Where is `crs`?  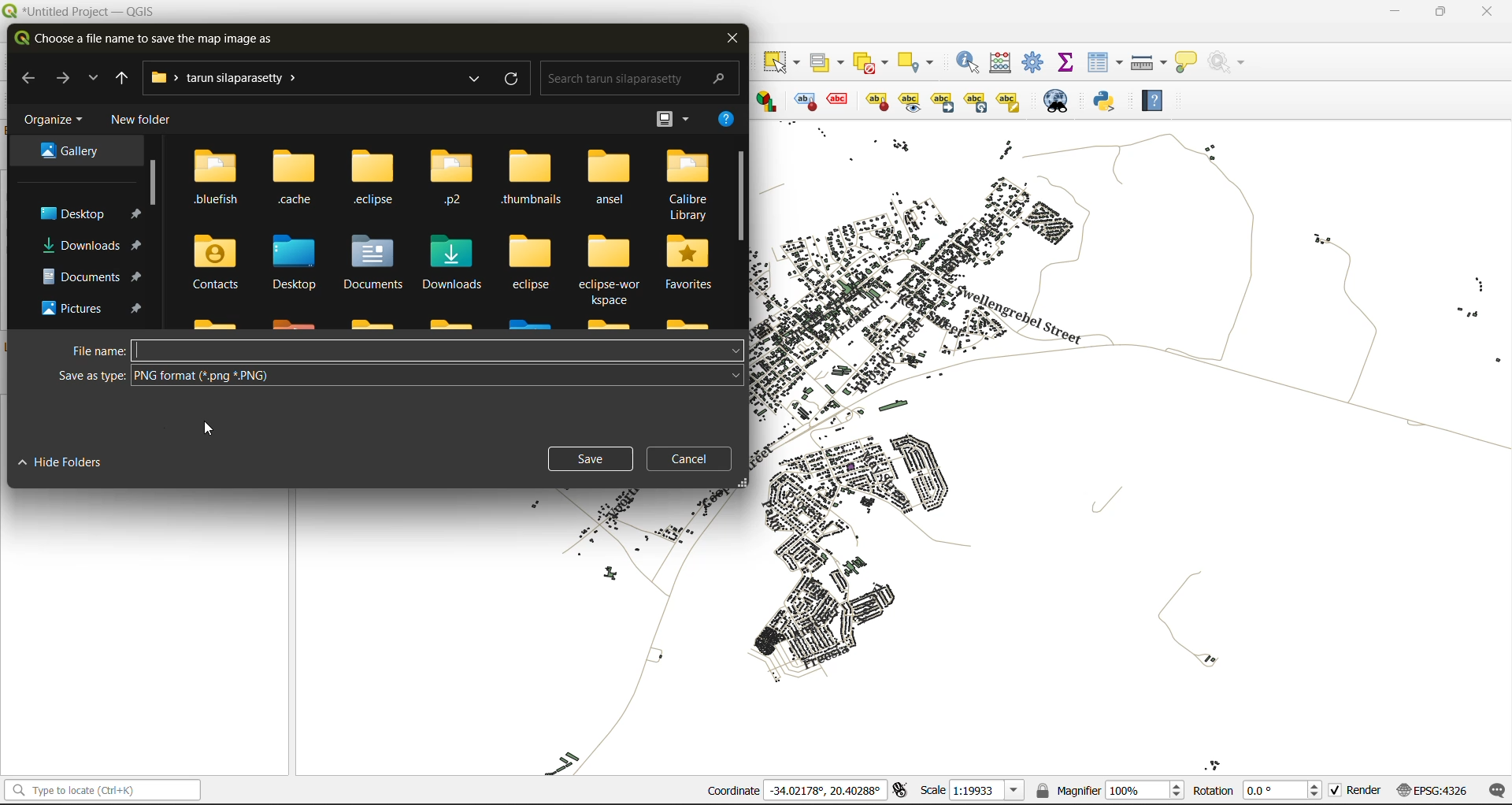
crs is located at coordinates (1428, 788).